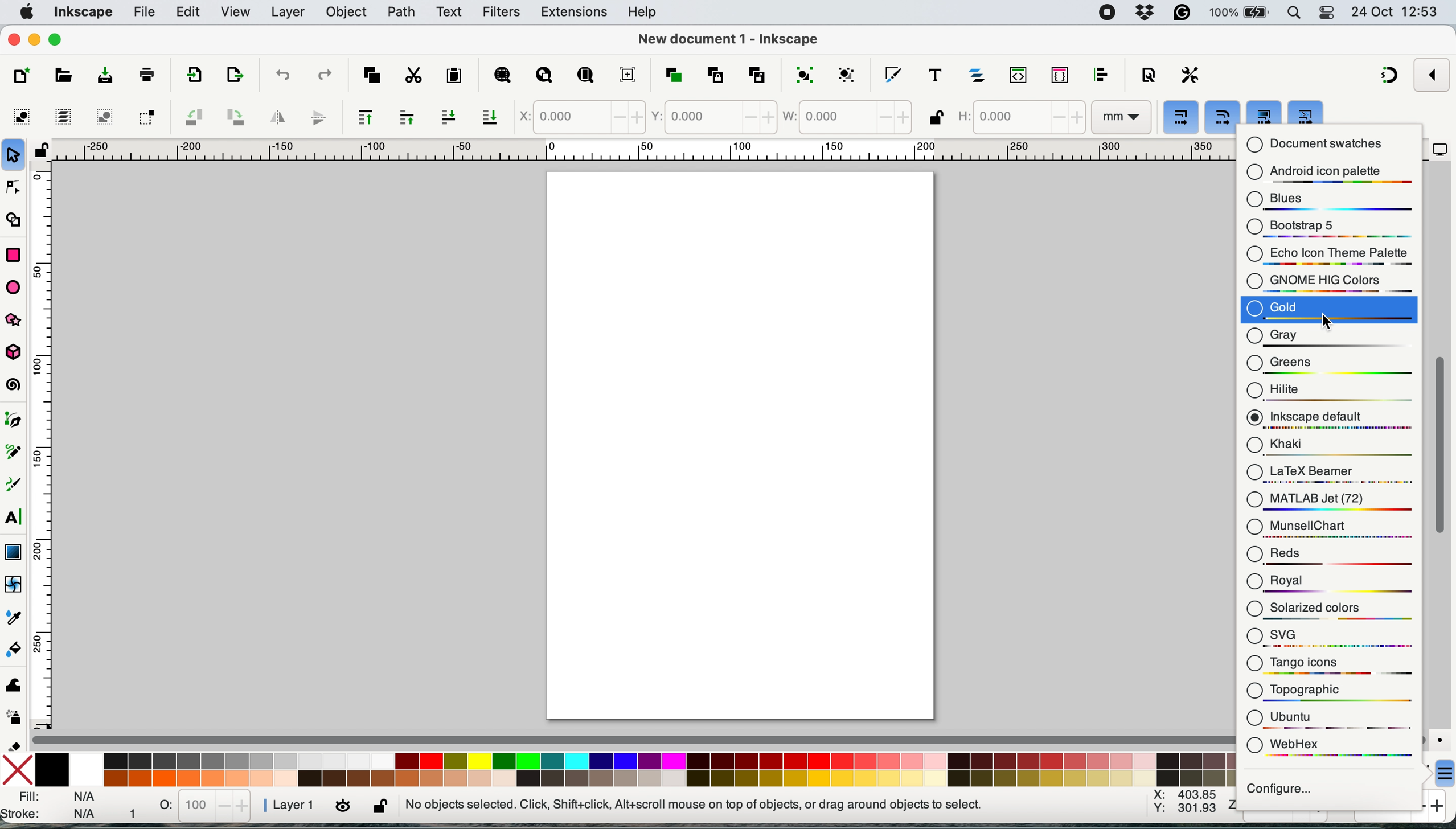  I want to click on paint bucket tool, so click(15, 649).